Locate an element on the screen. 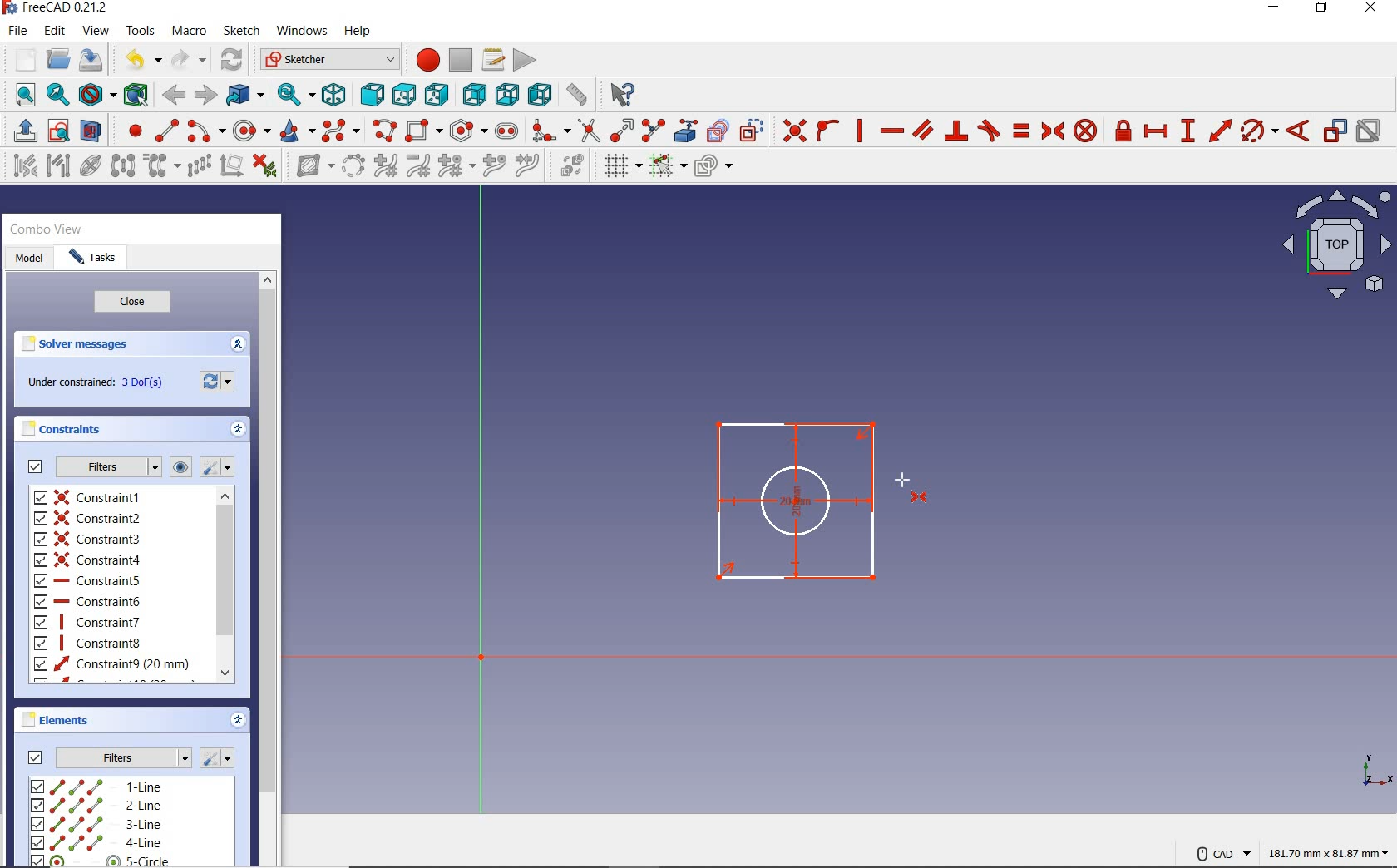 This screenshot has height=868, width=1397. symmetry is located at coordinates (124, 168).